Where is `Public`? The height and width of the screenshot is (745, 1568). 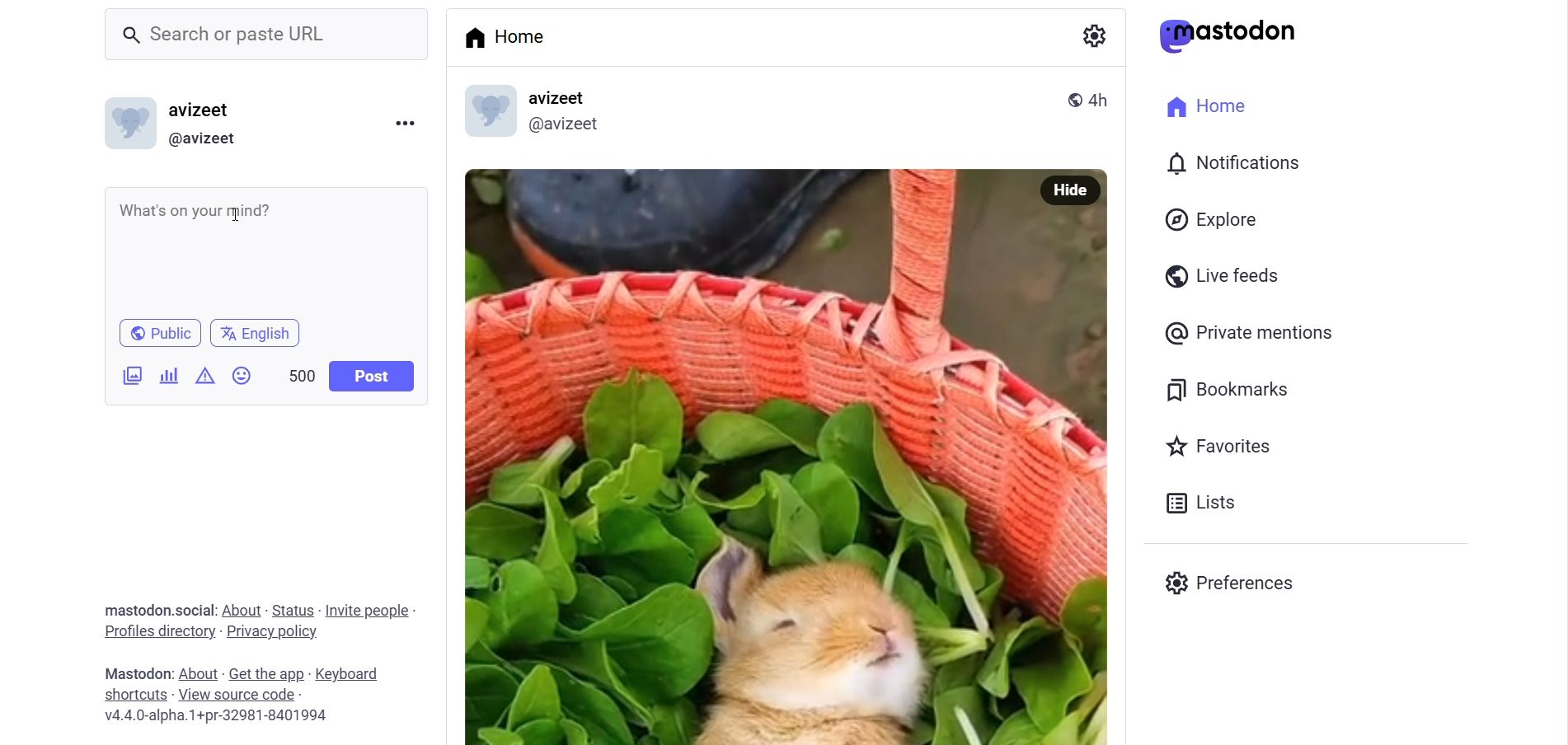
Public is located at coordinates (160, 332).